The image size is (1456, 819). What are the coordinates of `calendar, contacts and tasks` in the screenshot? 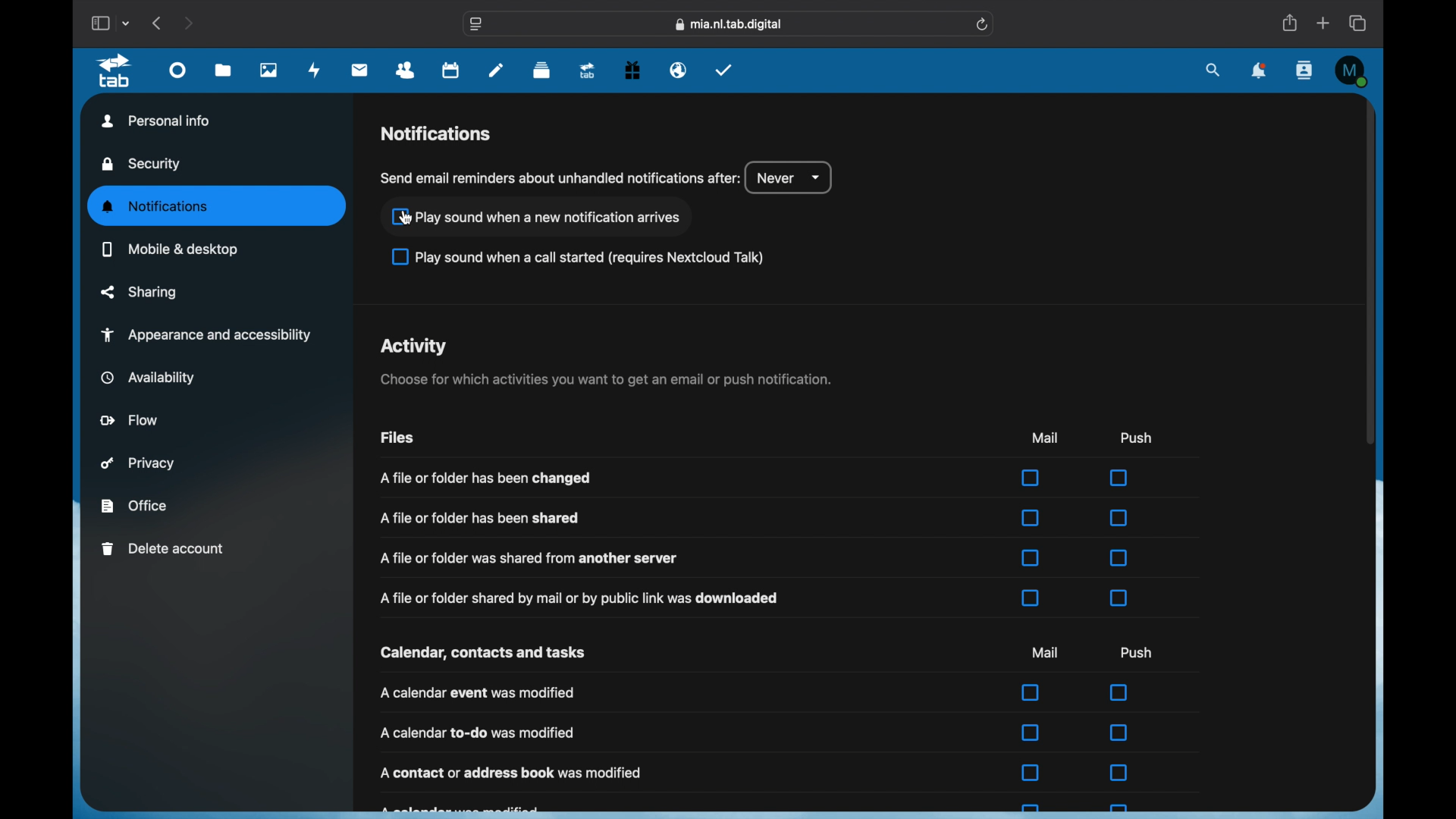 It's located at (482, 653).